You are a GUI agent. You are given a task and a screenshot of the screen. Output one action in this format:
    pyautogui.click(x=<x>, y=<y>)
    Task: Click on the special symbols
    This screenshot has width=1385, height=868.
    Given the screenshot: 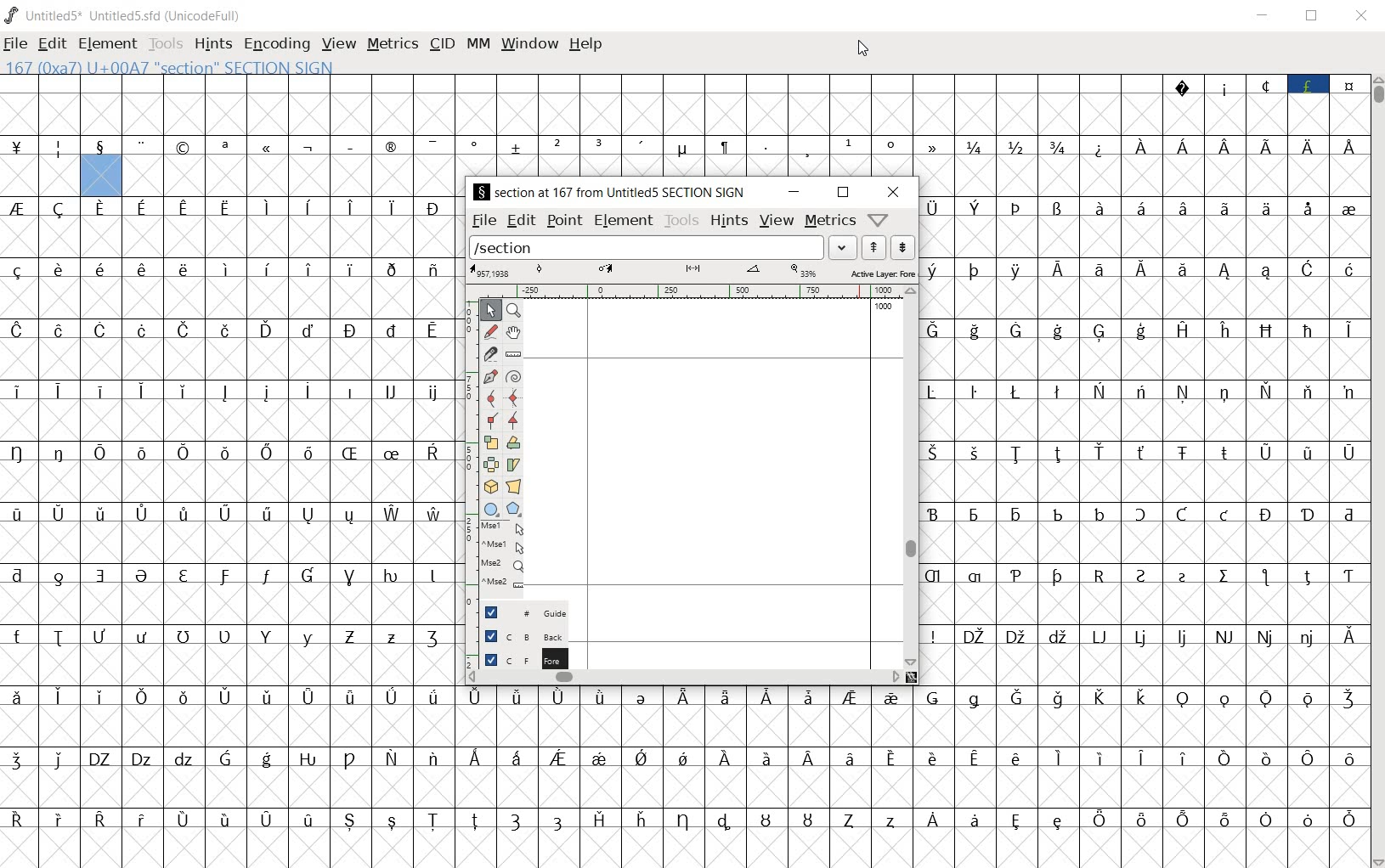 What is the action you would take?
    pyautogui.click(x=482, y=148)
    